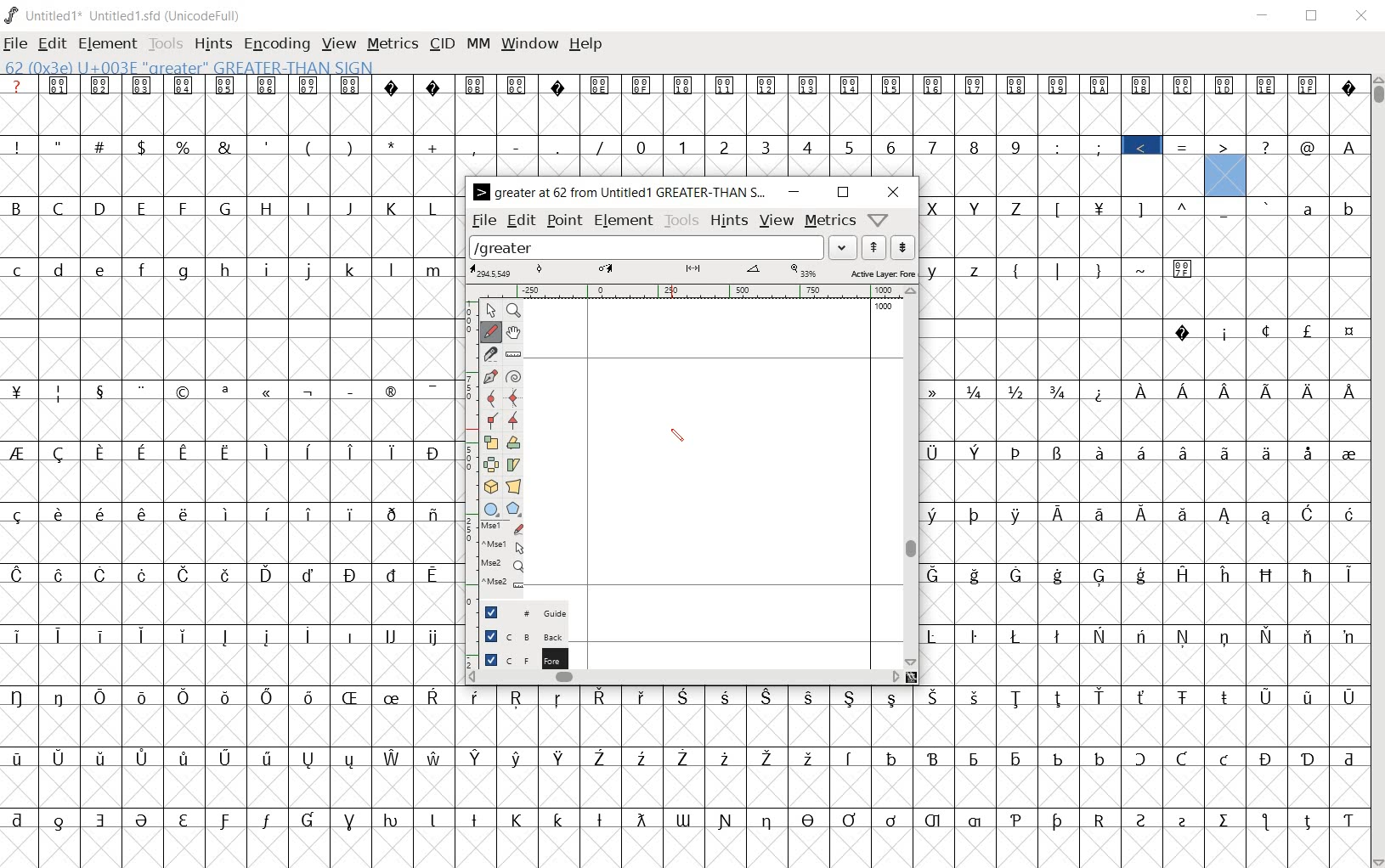  What do you see at coordinates (167, 45) in the screenshot?
I see `tools` at bounding box center [167, 45].